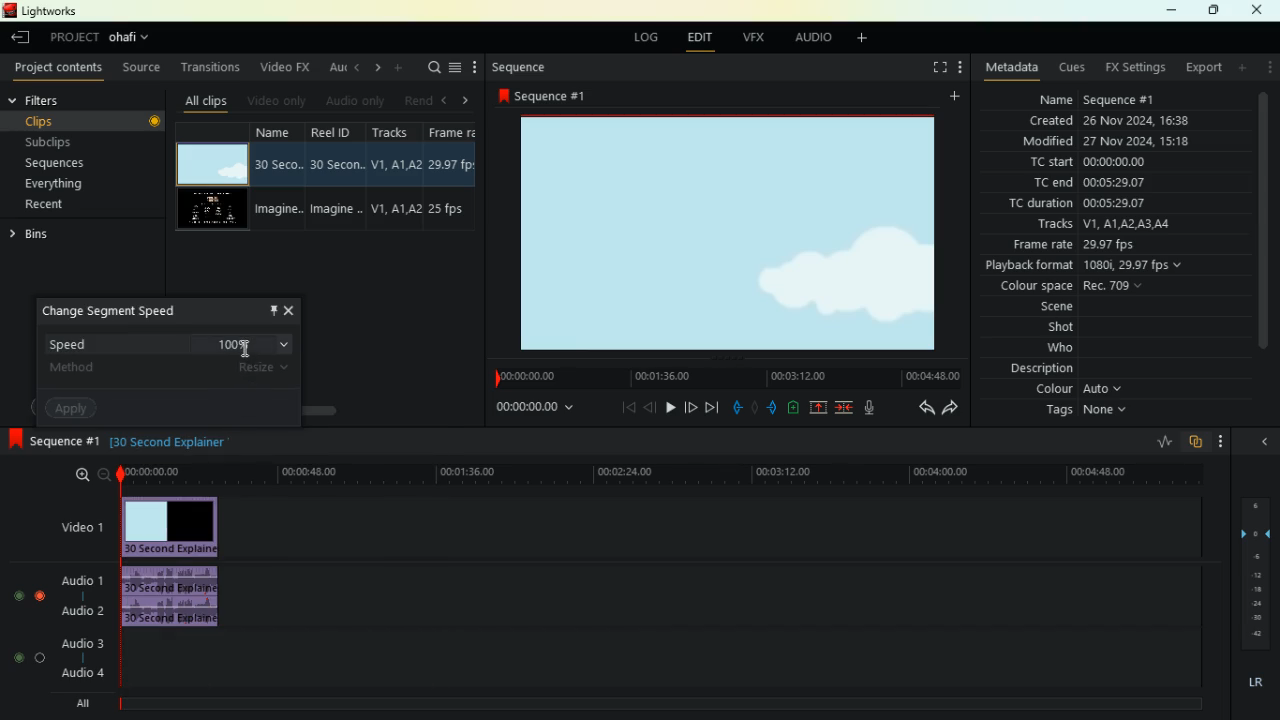 This screenshot has width=1280, height=720. What do you see at coordinates (1244, 67) in the screenshot?
I see `add` at bounding box center [1244, 67].